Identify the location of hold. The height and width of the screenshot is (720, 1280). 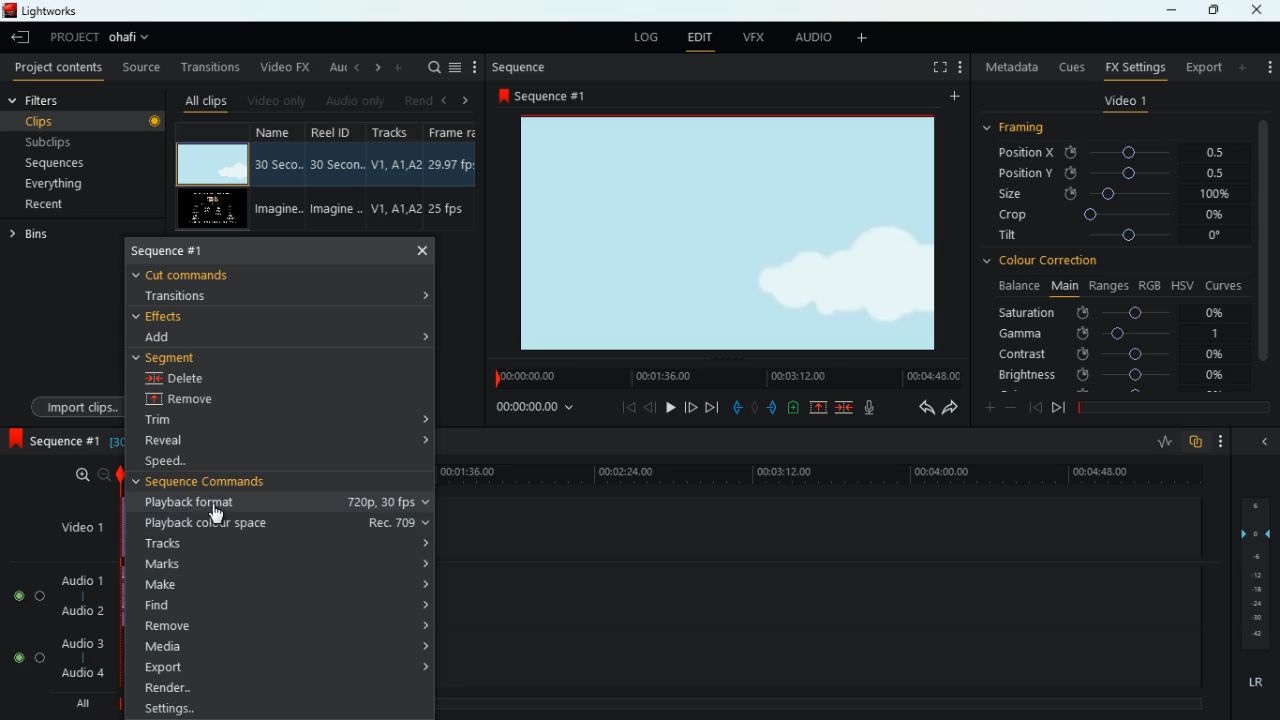
(755, 408).